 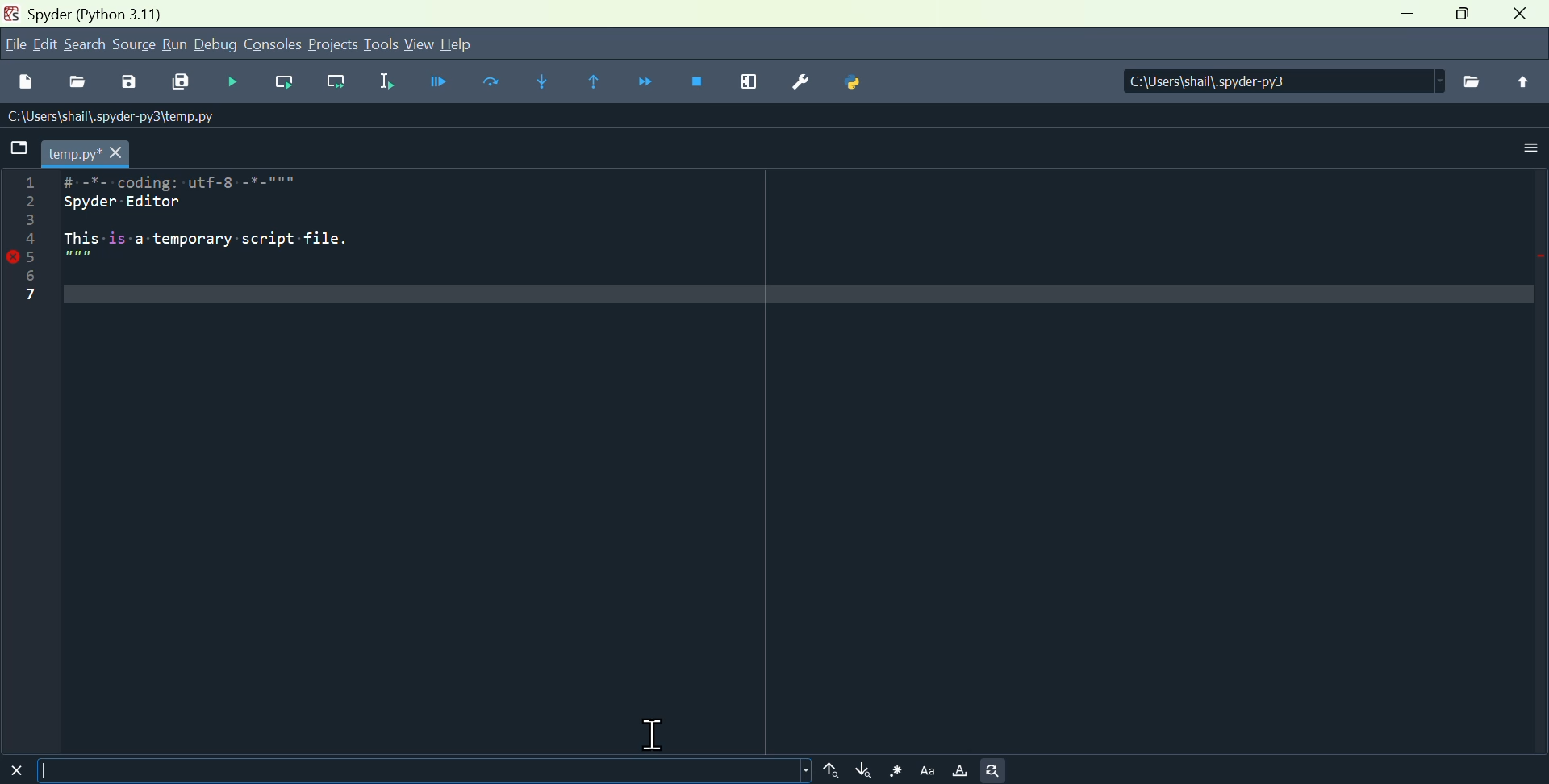 What do you see at coordinates (862, 770) in the screenshot?
I see `Find next` at bounding box center [862, 770].